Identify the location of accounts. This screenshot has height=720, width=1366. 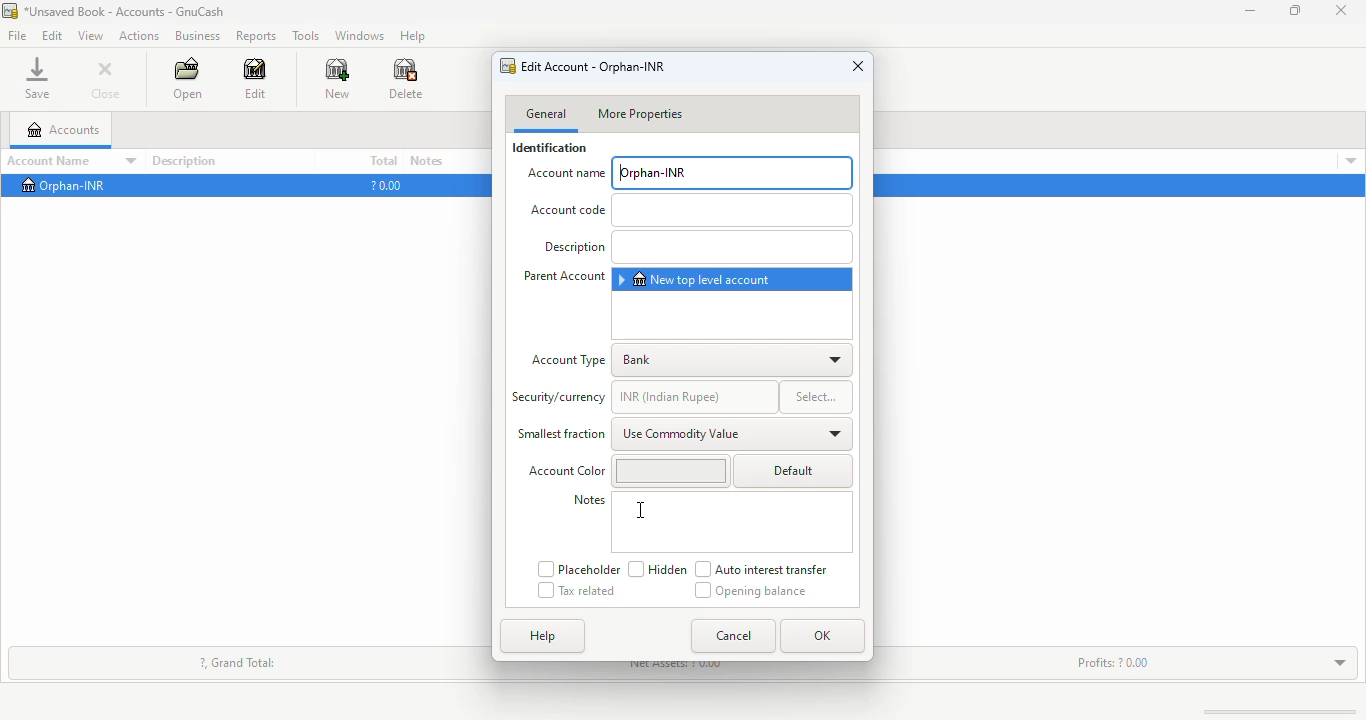
(62, 130).